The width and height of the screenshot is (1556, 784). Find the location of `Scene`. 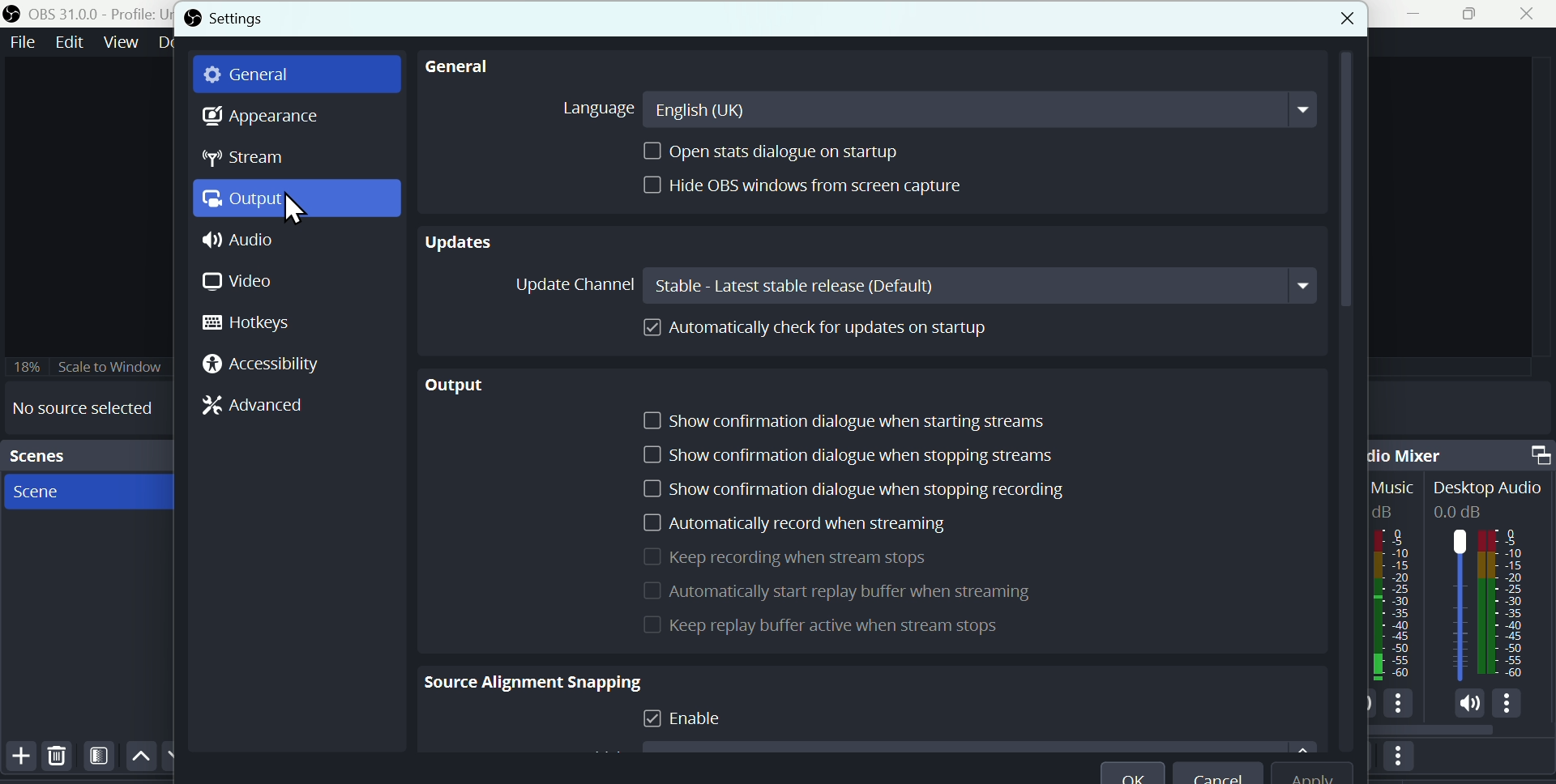

Scene is located at coordinates (35, 492).